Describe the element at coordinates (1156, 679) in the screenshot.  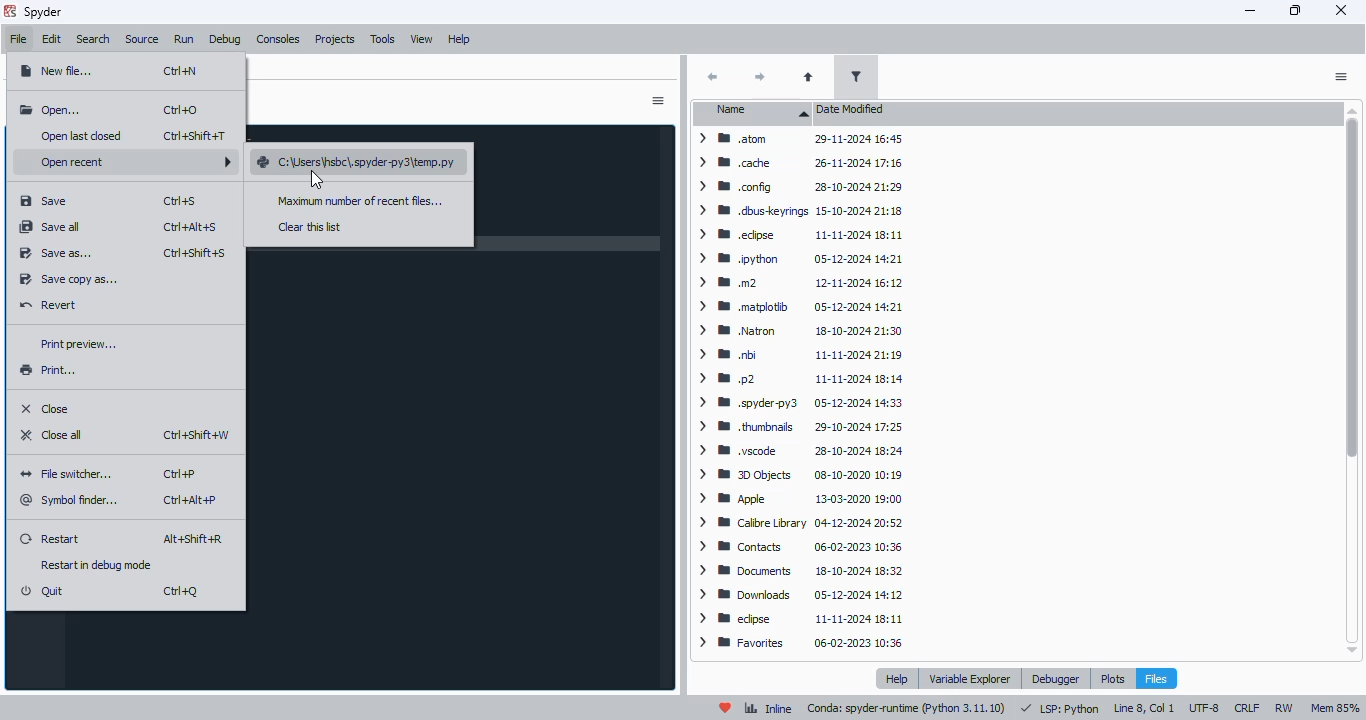
I see `files` at that location.